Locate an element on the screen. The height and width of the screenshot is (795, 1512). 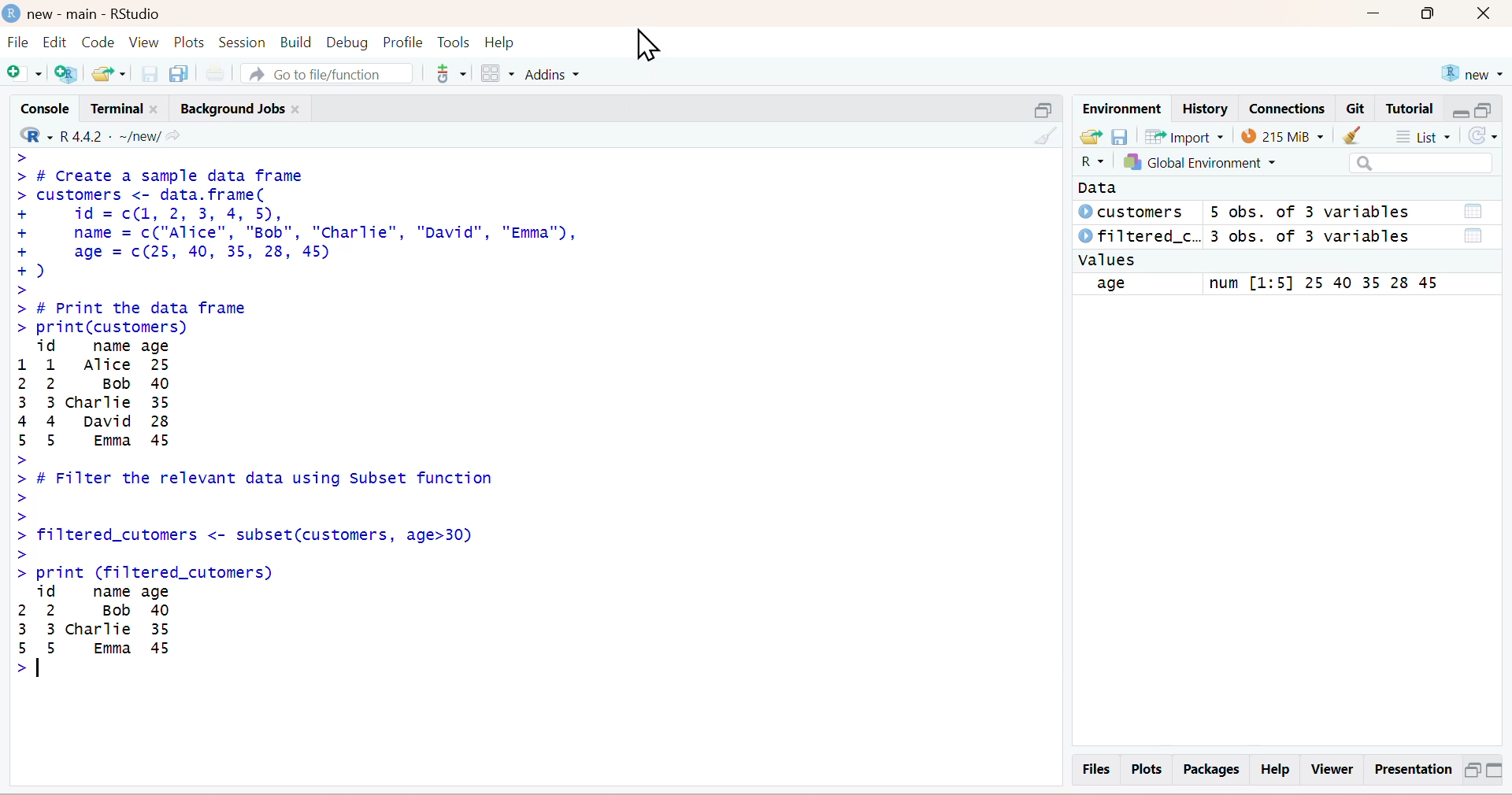
Connections is located at coordinates (1286, 107).